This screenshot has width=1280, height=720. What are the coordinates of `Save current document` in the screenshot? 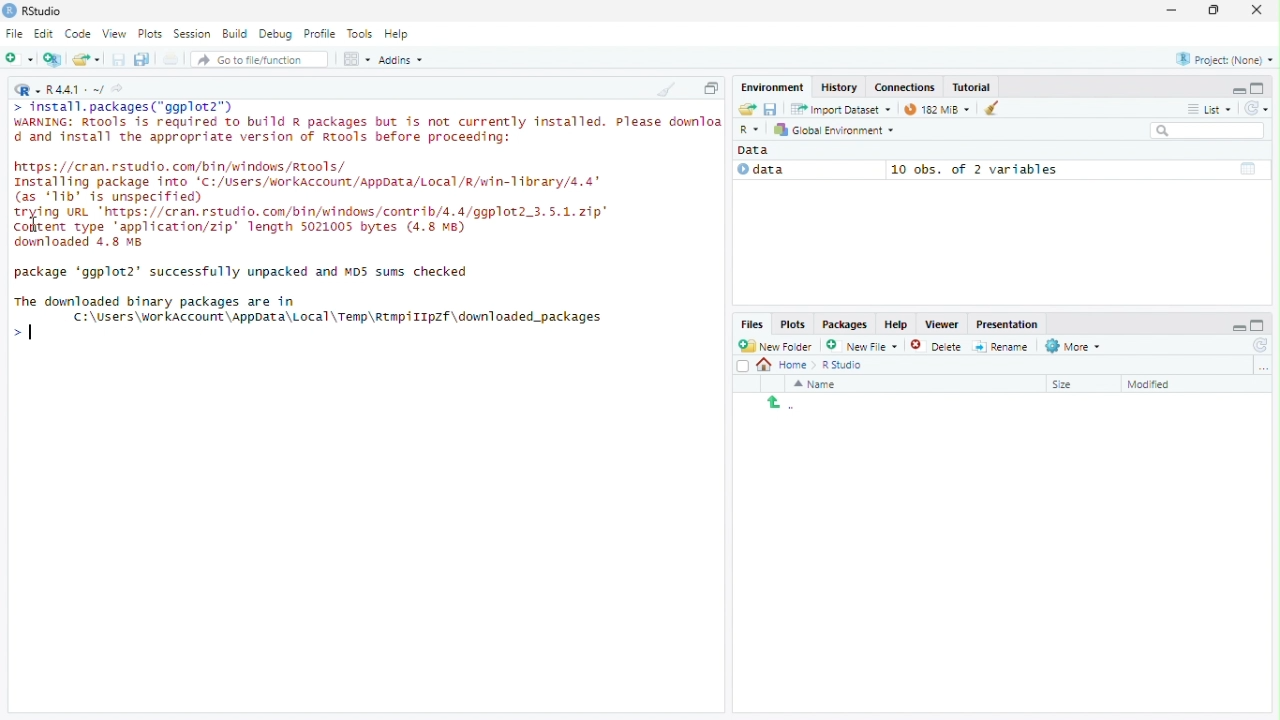 It's located at (120, 59).